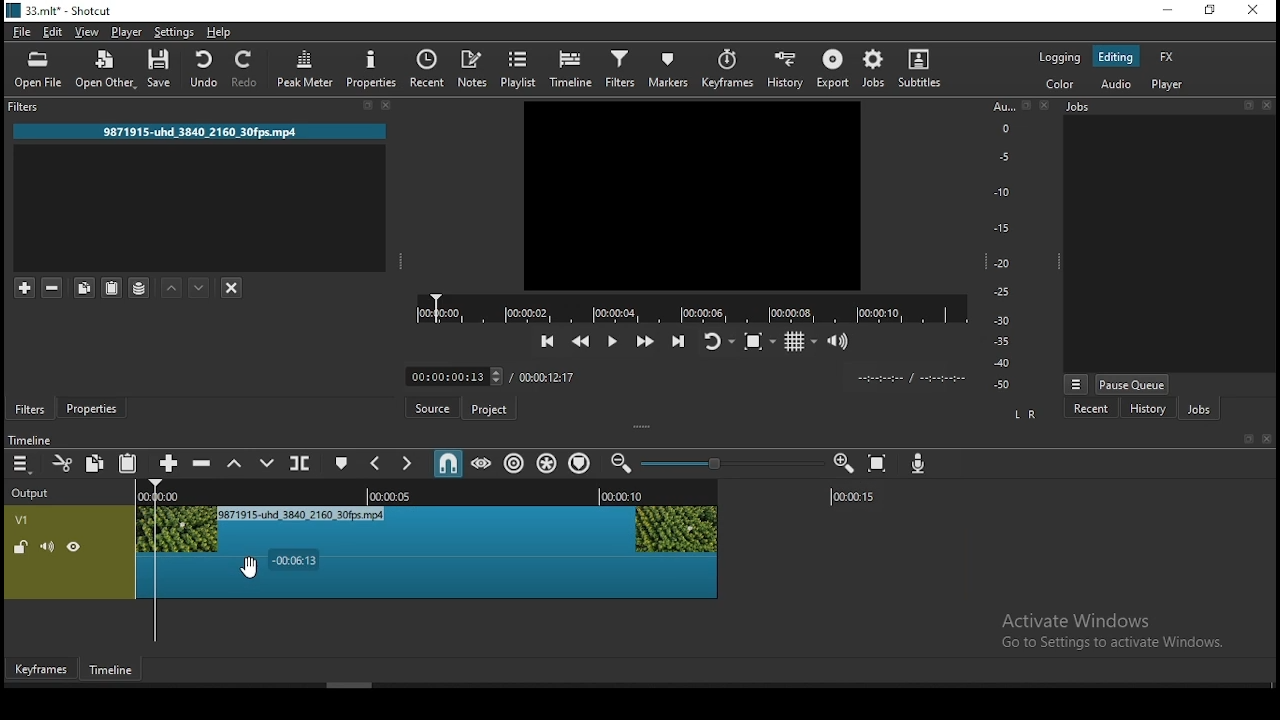  I want to click on VT, so click(39, 517).